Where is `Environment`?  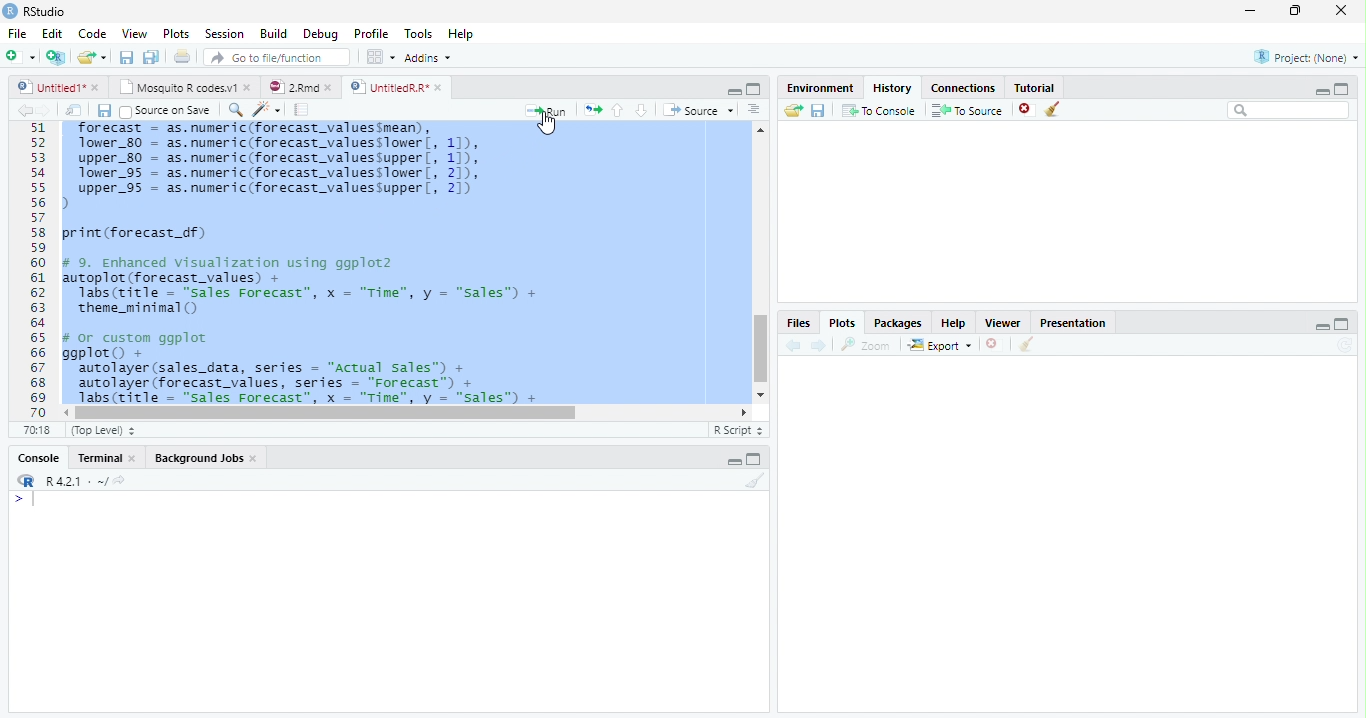 Environment is located at coordinates (822, 89).